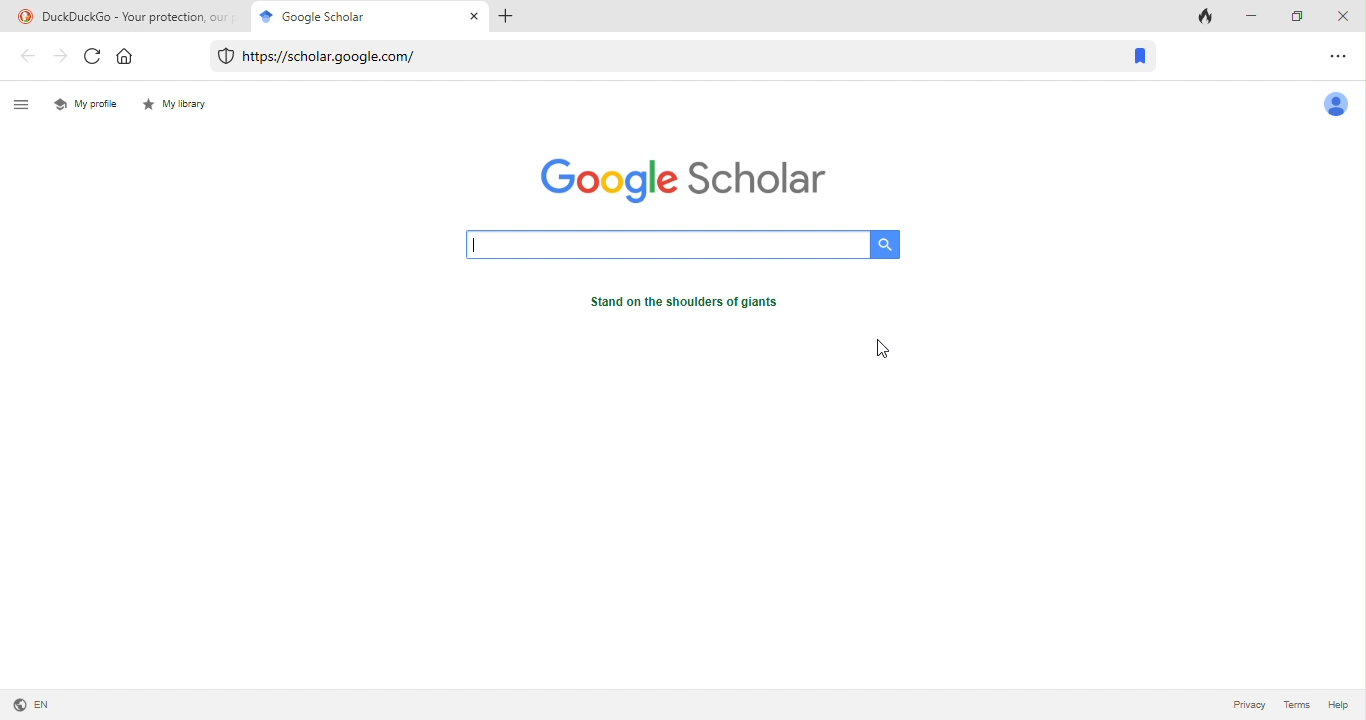 The image size is (1366, 720). What do you see at coordinates (1339, 107) in the screenshot?
I see `account` at bounding box center [1339, 107].